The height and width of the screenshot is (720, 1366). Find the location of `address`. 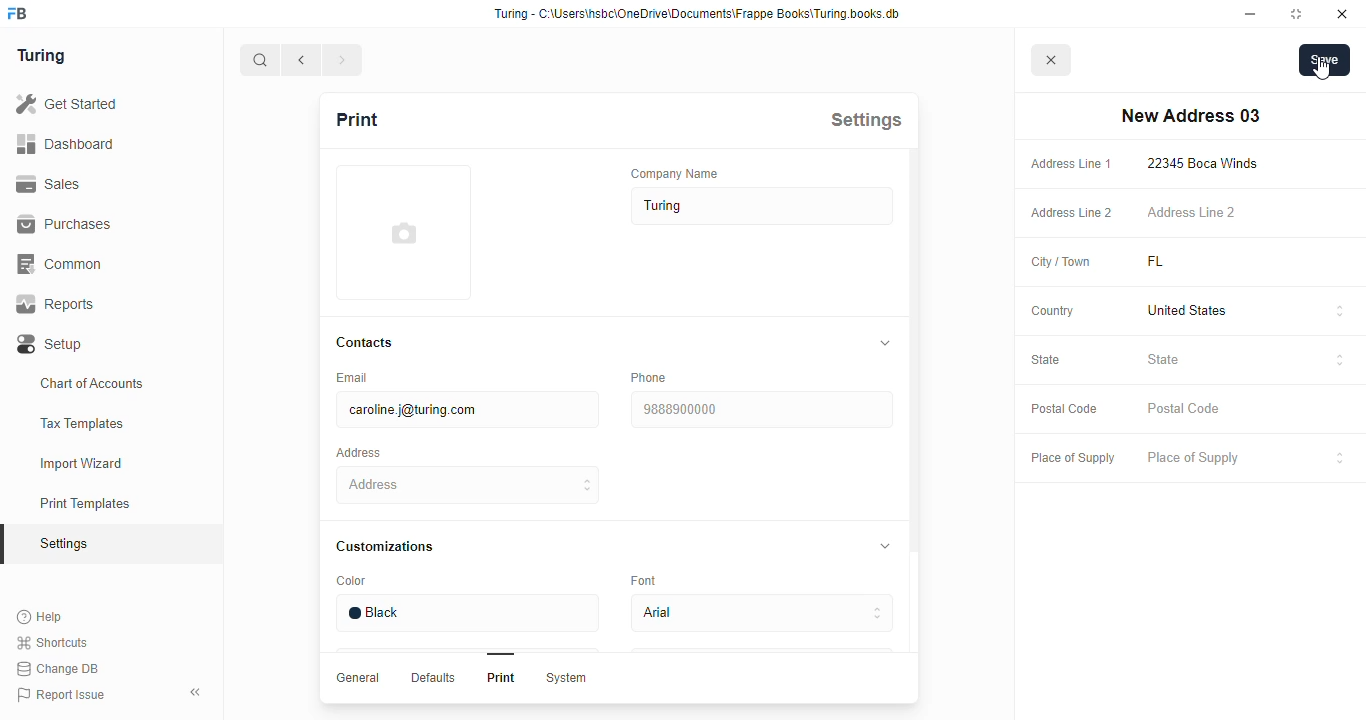

address is located at coordinates (469, 485).